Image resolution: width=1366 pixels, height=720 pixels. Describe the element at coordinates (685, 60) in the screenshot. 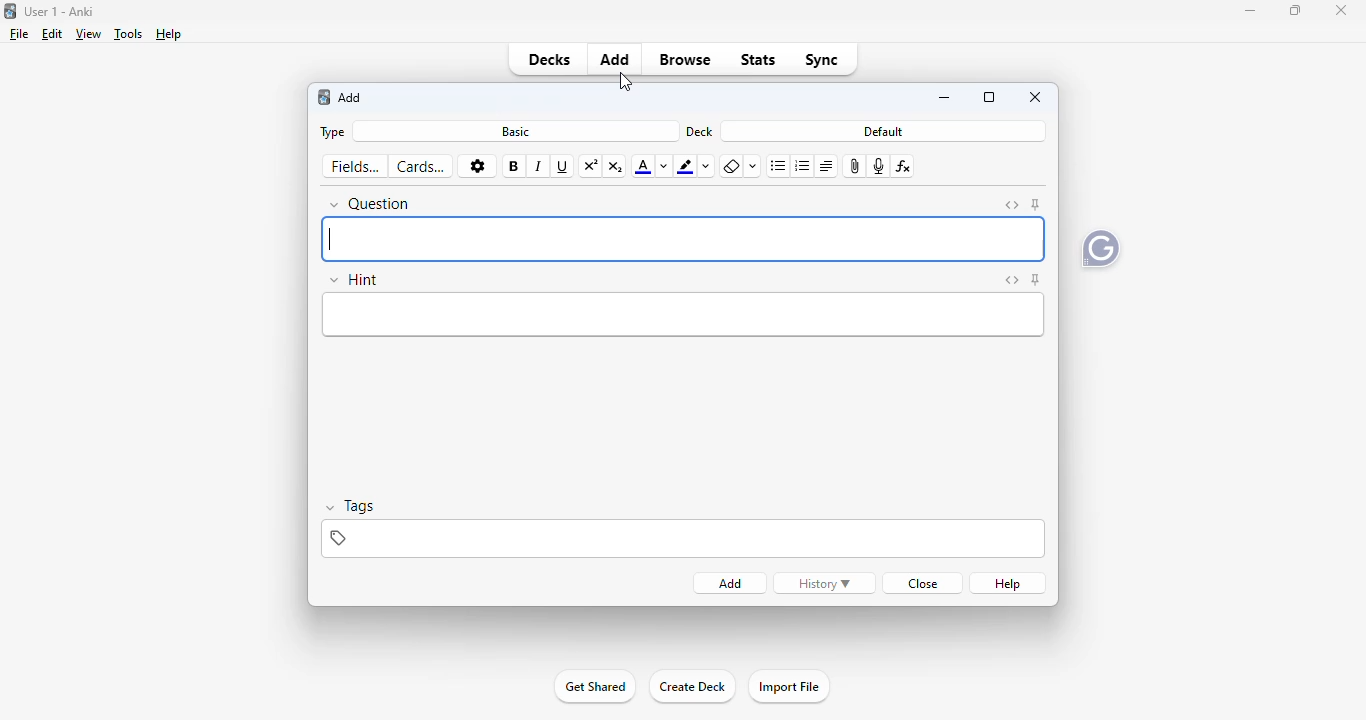

I see `browse` at that location.